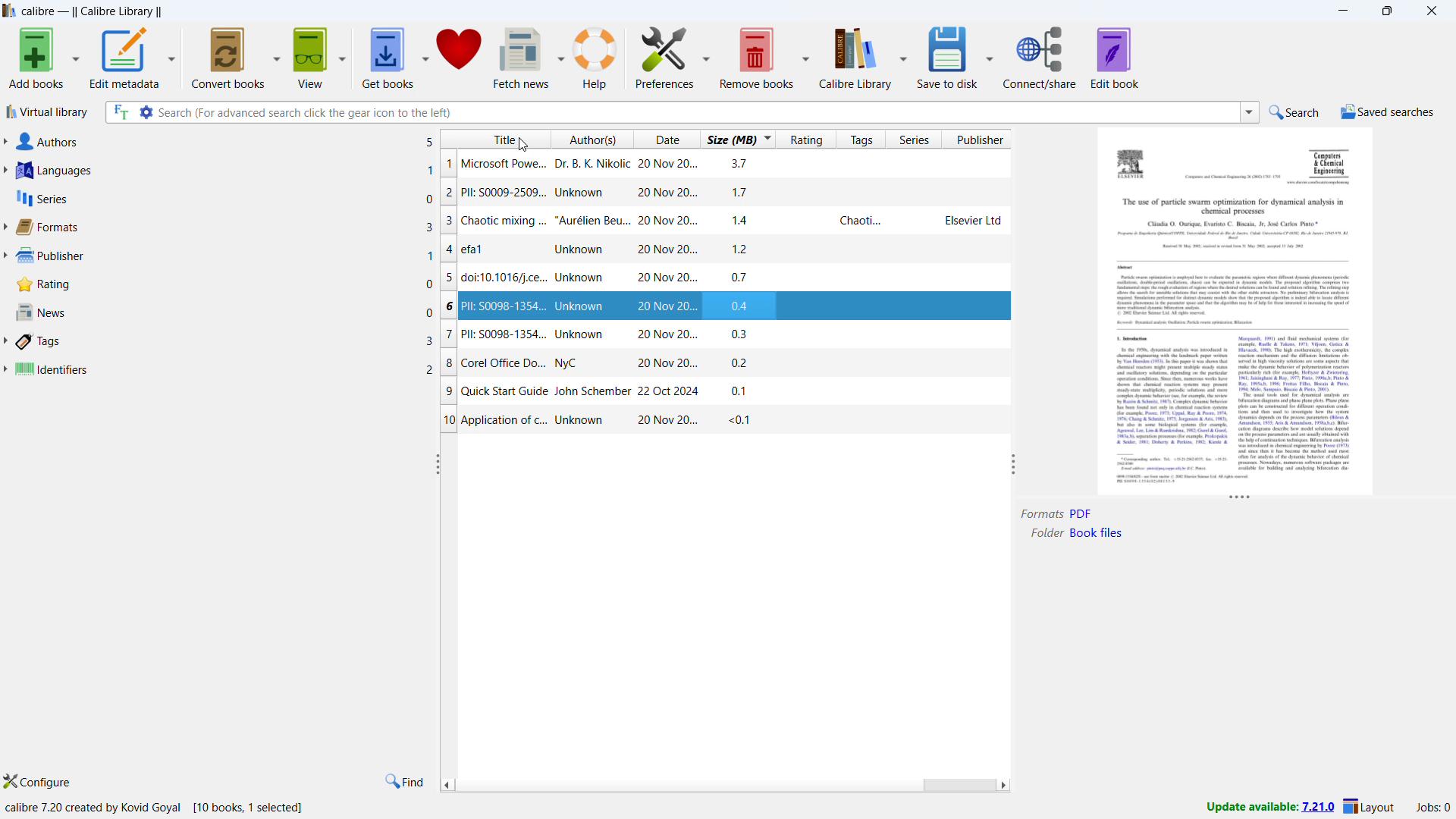  What do you see at coordinates (42, 782) in the screenshot?
I see `configure` at bounding box center [42, 782].